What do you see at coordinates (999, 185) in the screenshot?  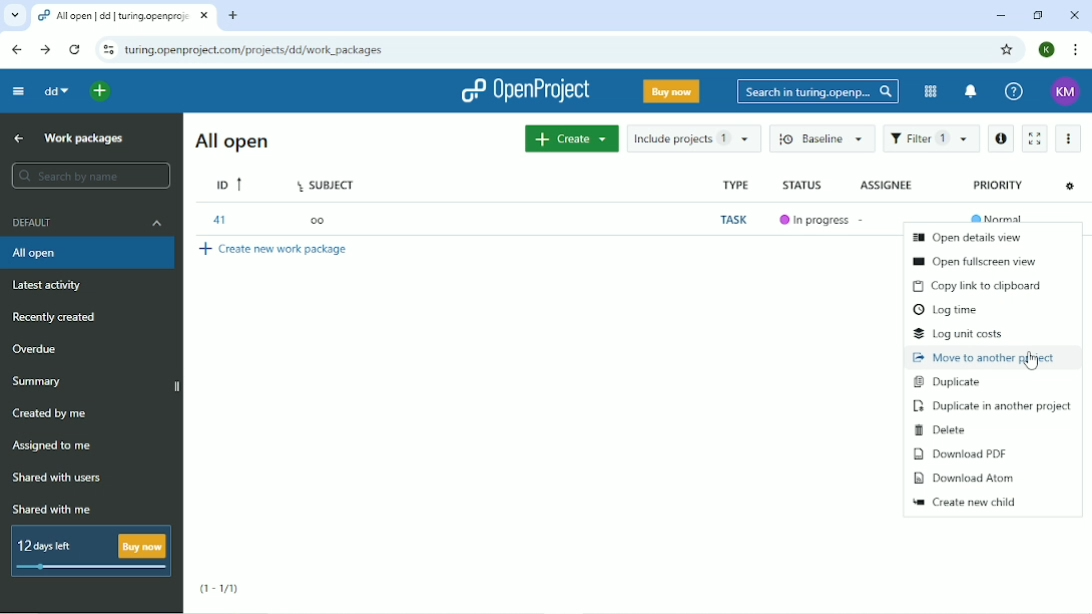 I see `Priority` at bounding box center [999, 185].